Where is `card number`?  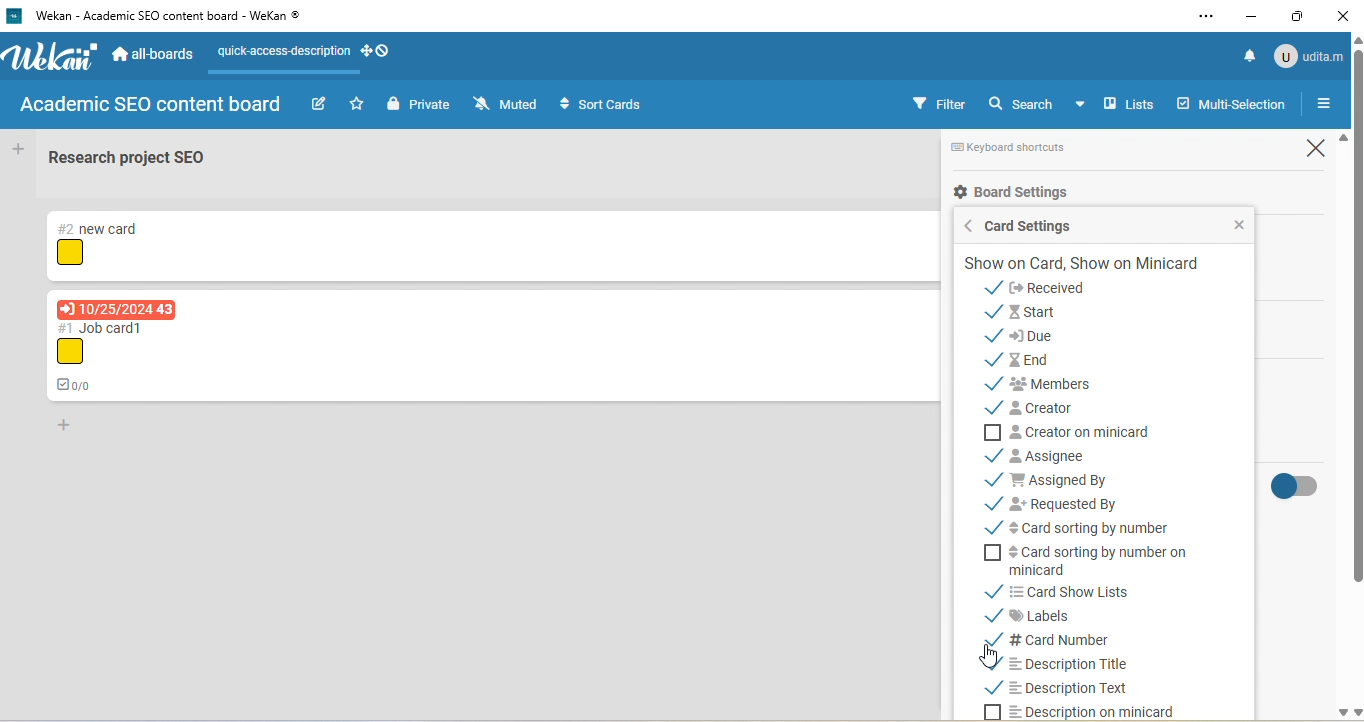 card number is located at coordinates (1065, 637).